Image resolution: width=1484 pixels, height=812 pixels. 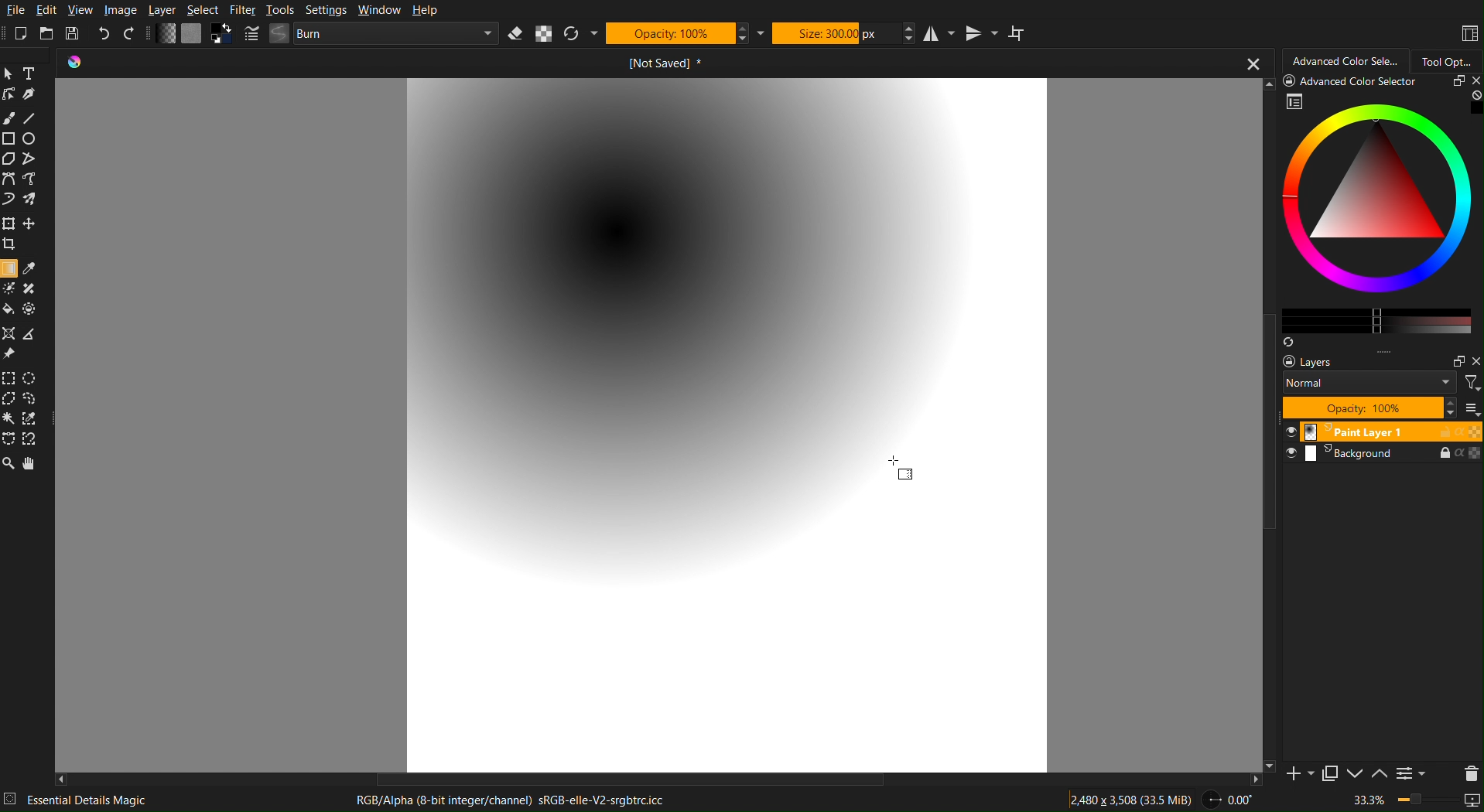 What do you see at coordinates (22, 299) in the screenshot?
I see `Color Tools` at bounding box center [22, 299].